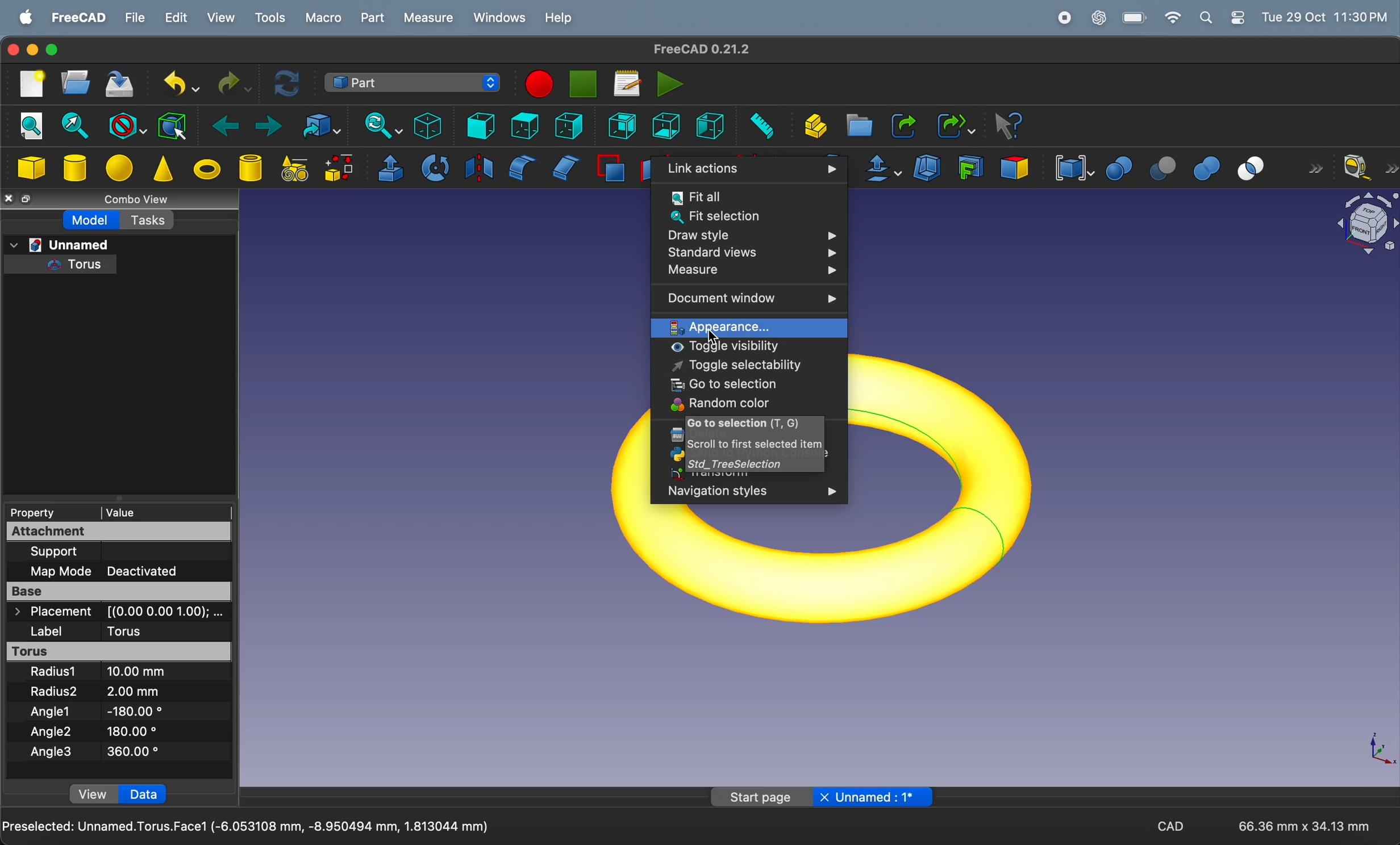 The width and height of the screenshot is (1400, 845). What do you see at coordinates (568, 126) in the screenshot?
I see `right view` at bounding box center [568, 126].